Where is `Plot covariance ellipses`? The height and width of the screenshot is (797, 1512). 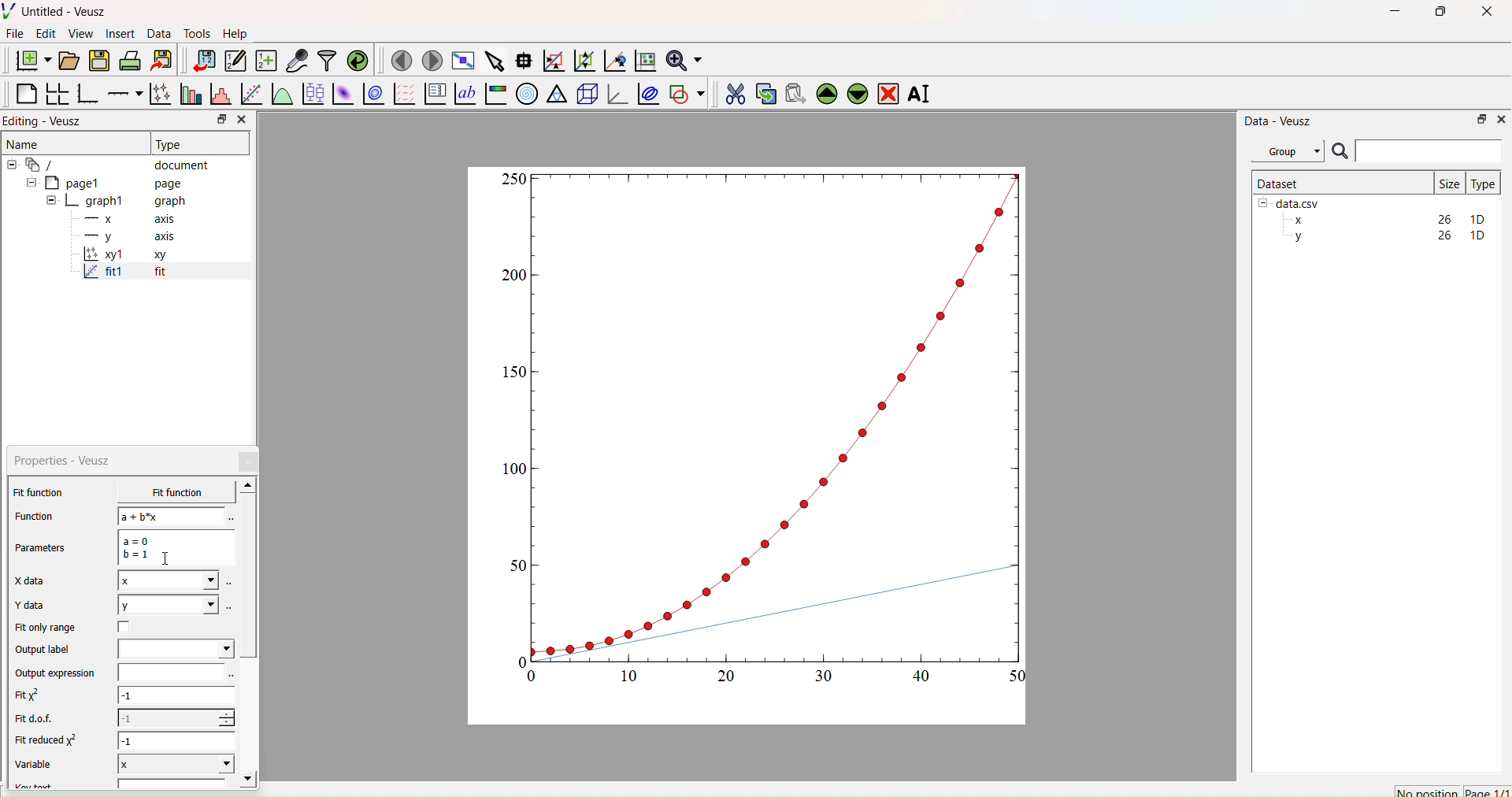
Plot covariance ellipses is located at coordinates (647, 93).